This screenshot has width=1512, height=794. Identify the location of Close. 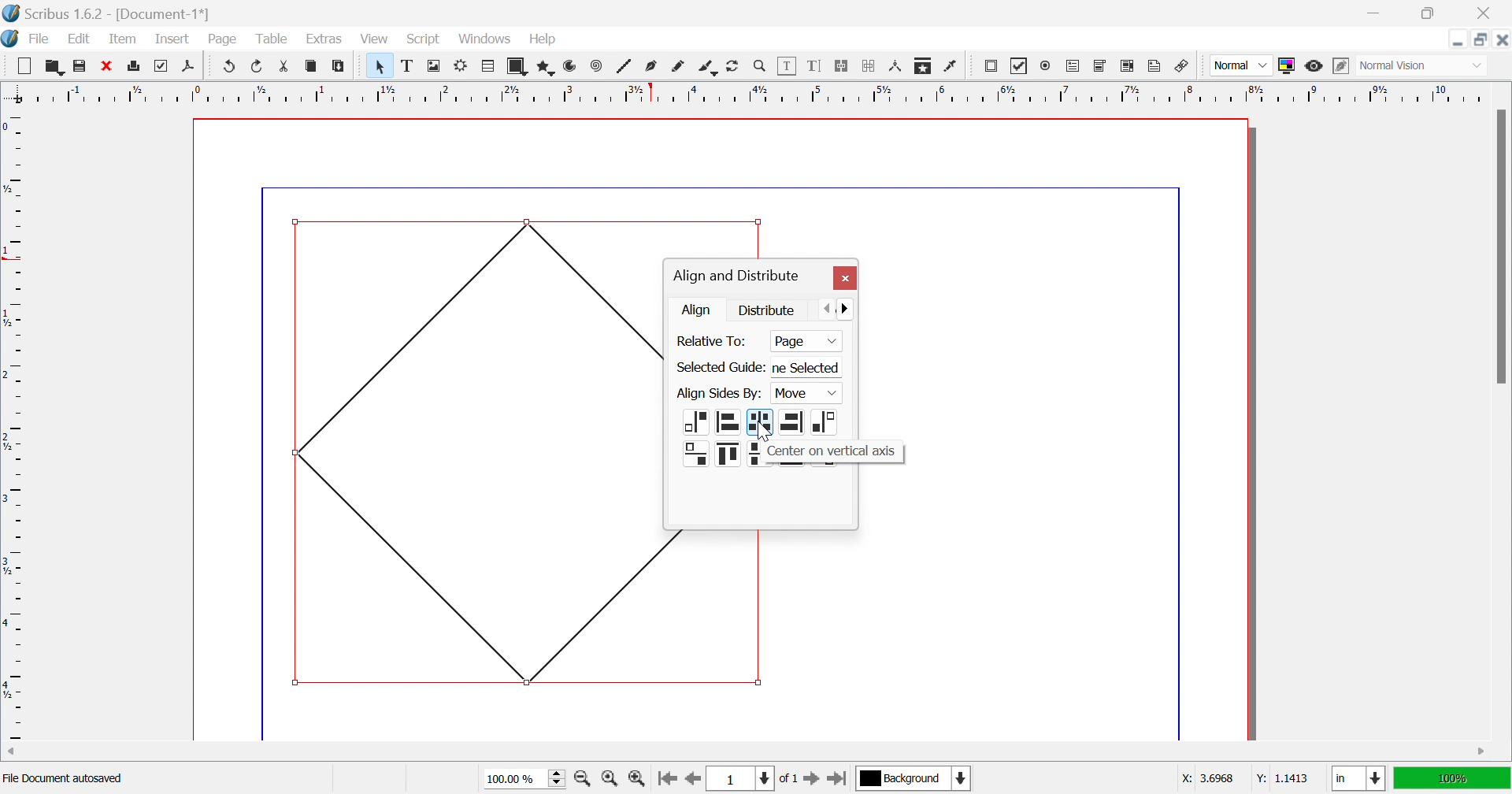
(844, 279).